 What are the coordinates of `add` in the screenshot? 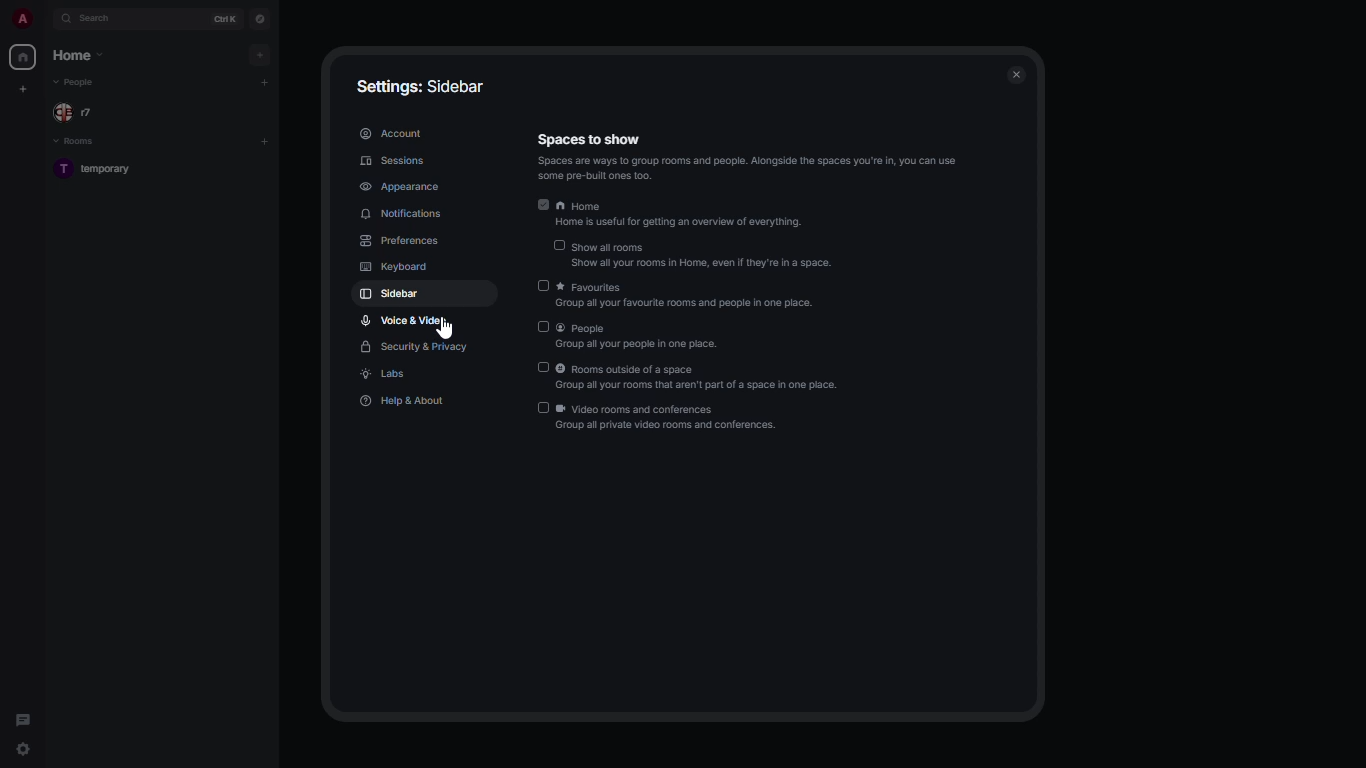 It's located at (263, 55).